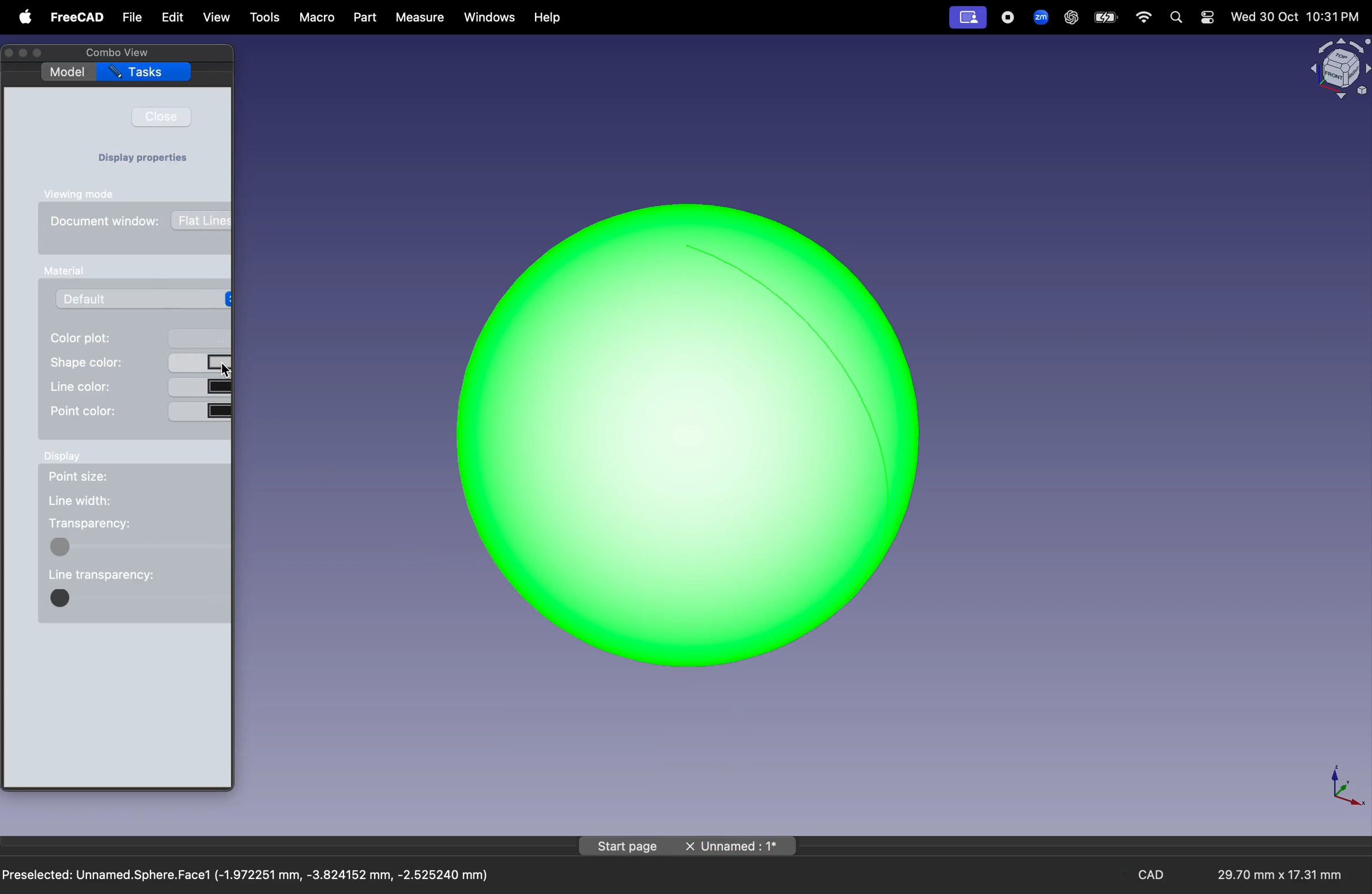  What do you see at coordinates (105, 576) in the screenshot?
I see `line tranparency` at bounding box center [105, 576].